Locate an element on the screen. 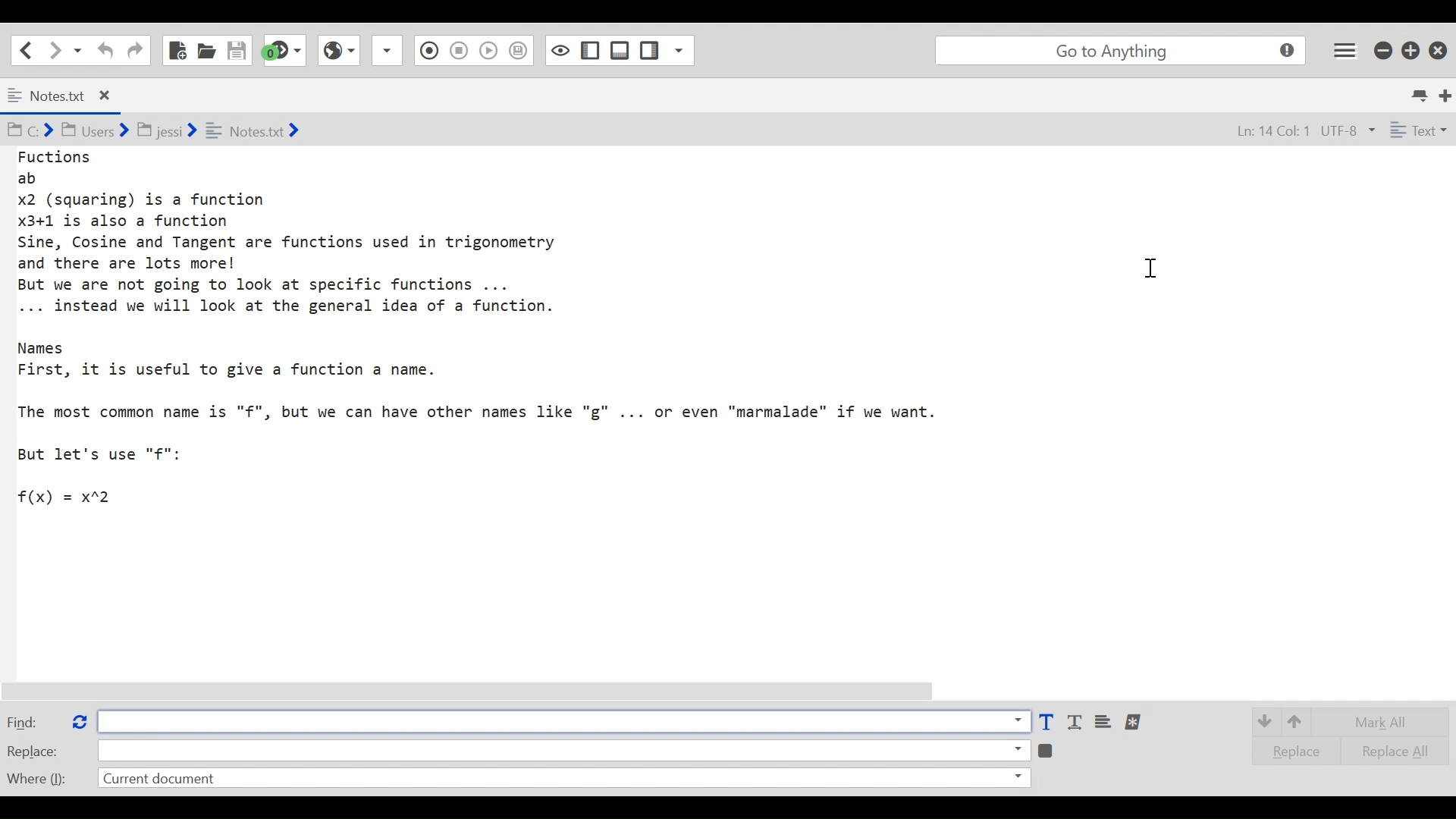 Image resolution: width=1456 pixels, height=819 pixels. Cd BY Users ¥ BJ jessi ¥ = Notesixt & is located at coordinates (185, 132).